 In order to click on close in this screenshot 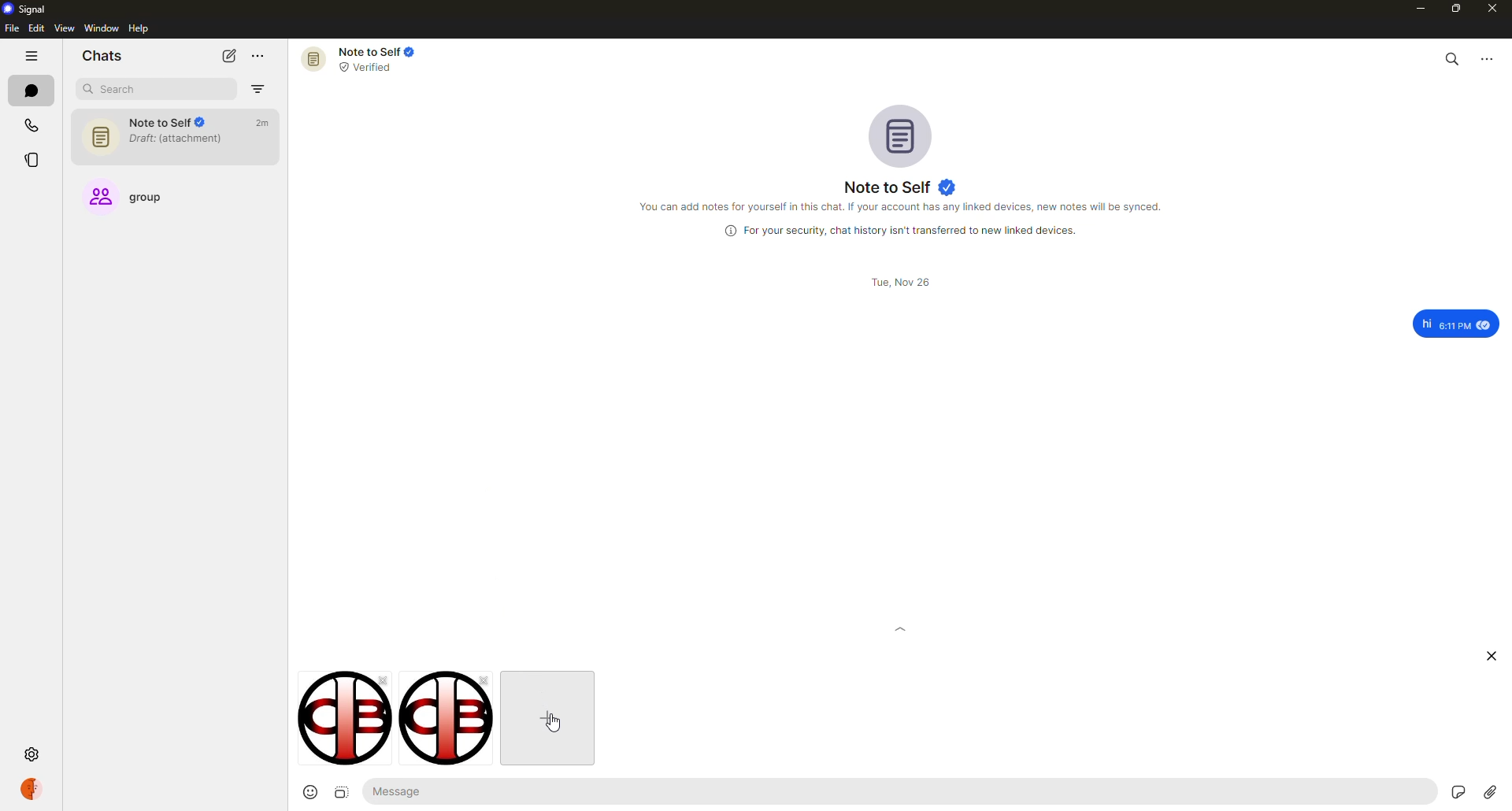, I will do `click(1494, 655)`.